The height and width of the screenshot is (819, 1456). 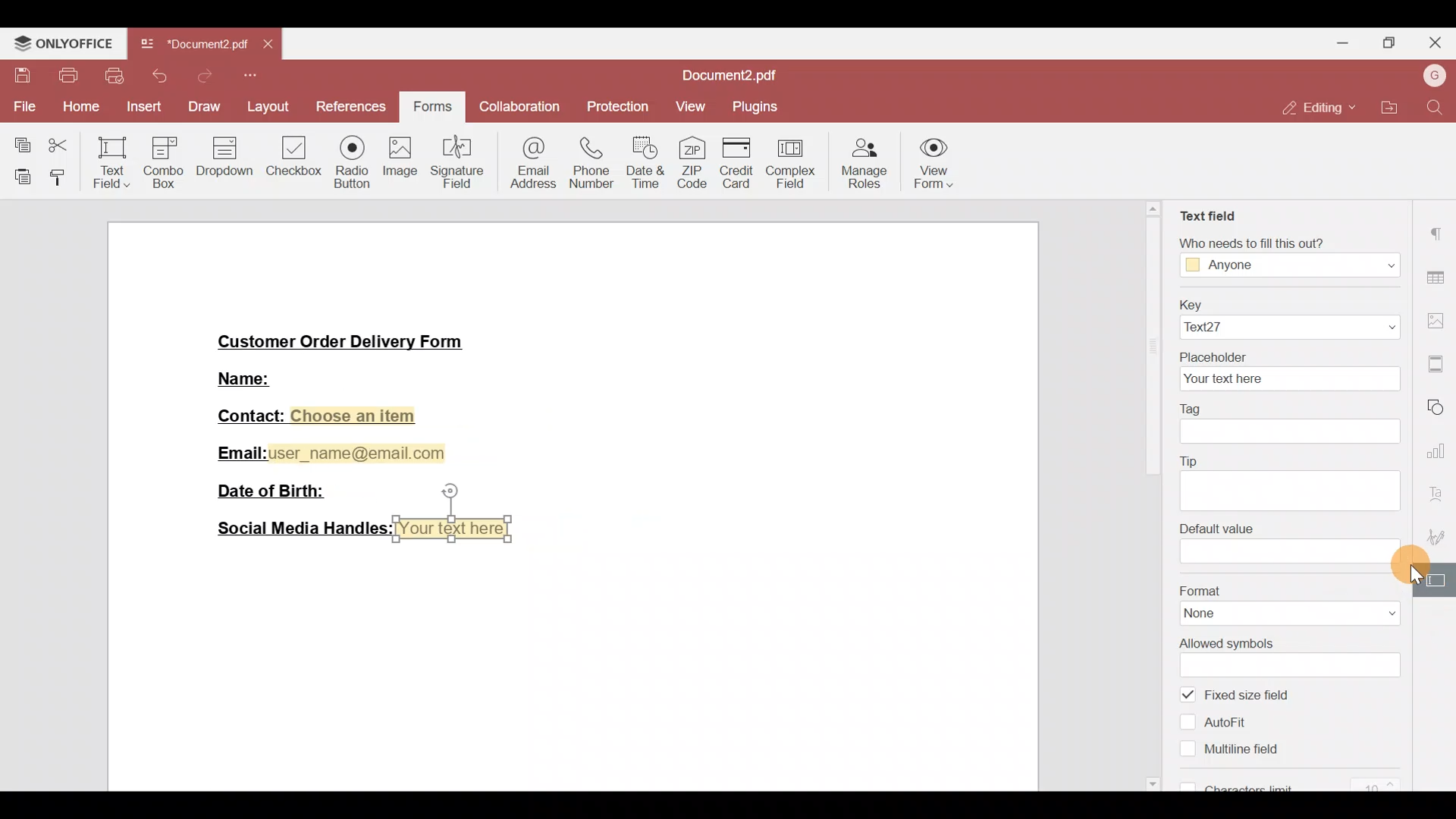 I want to click on Editing mode, so click(x=1316, y=108).